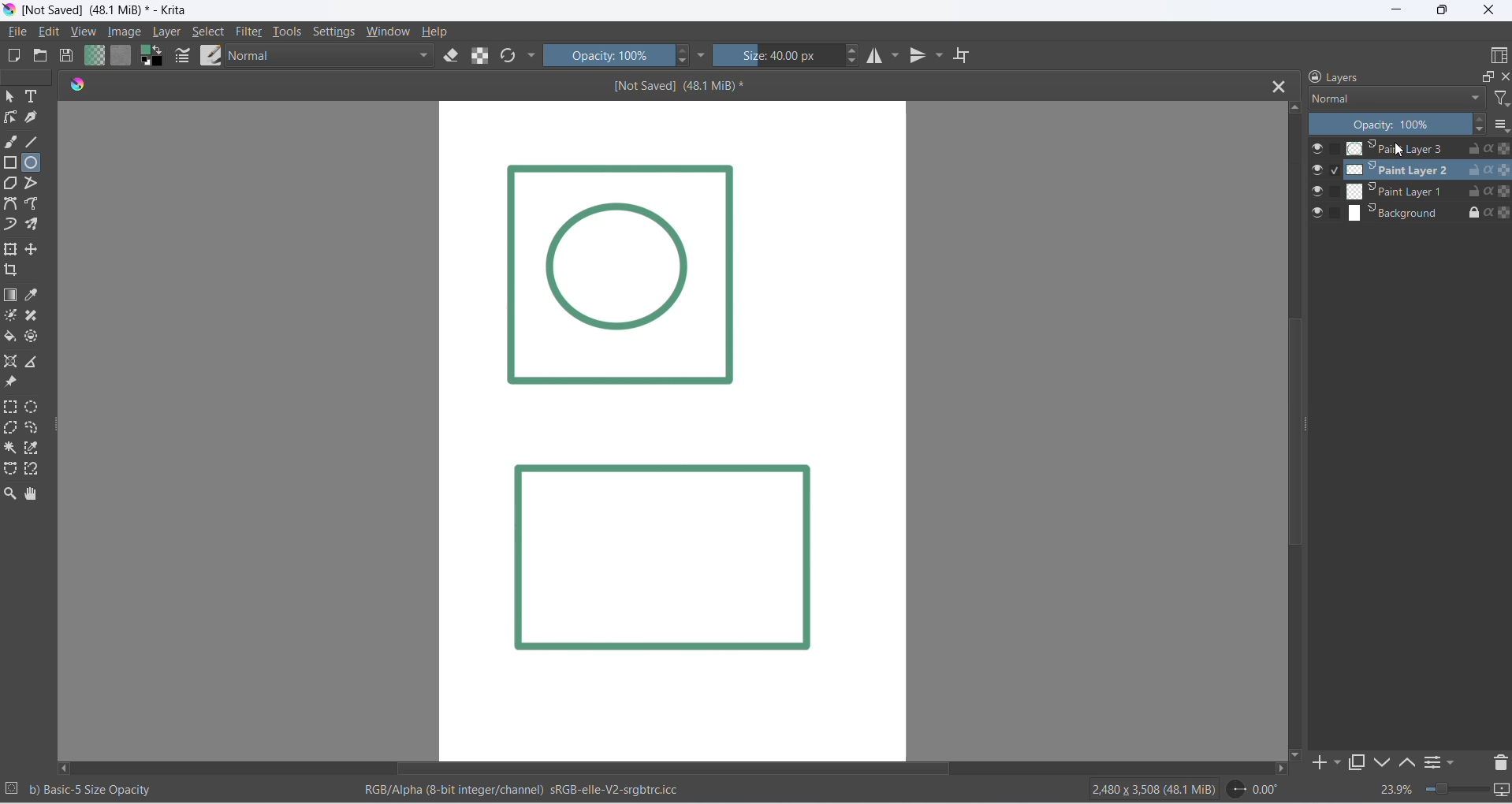  What do you see at coordinates (1503, 792) in the screenshot?
I see `slideshow` at bounding box center [1503, 792].